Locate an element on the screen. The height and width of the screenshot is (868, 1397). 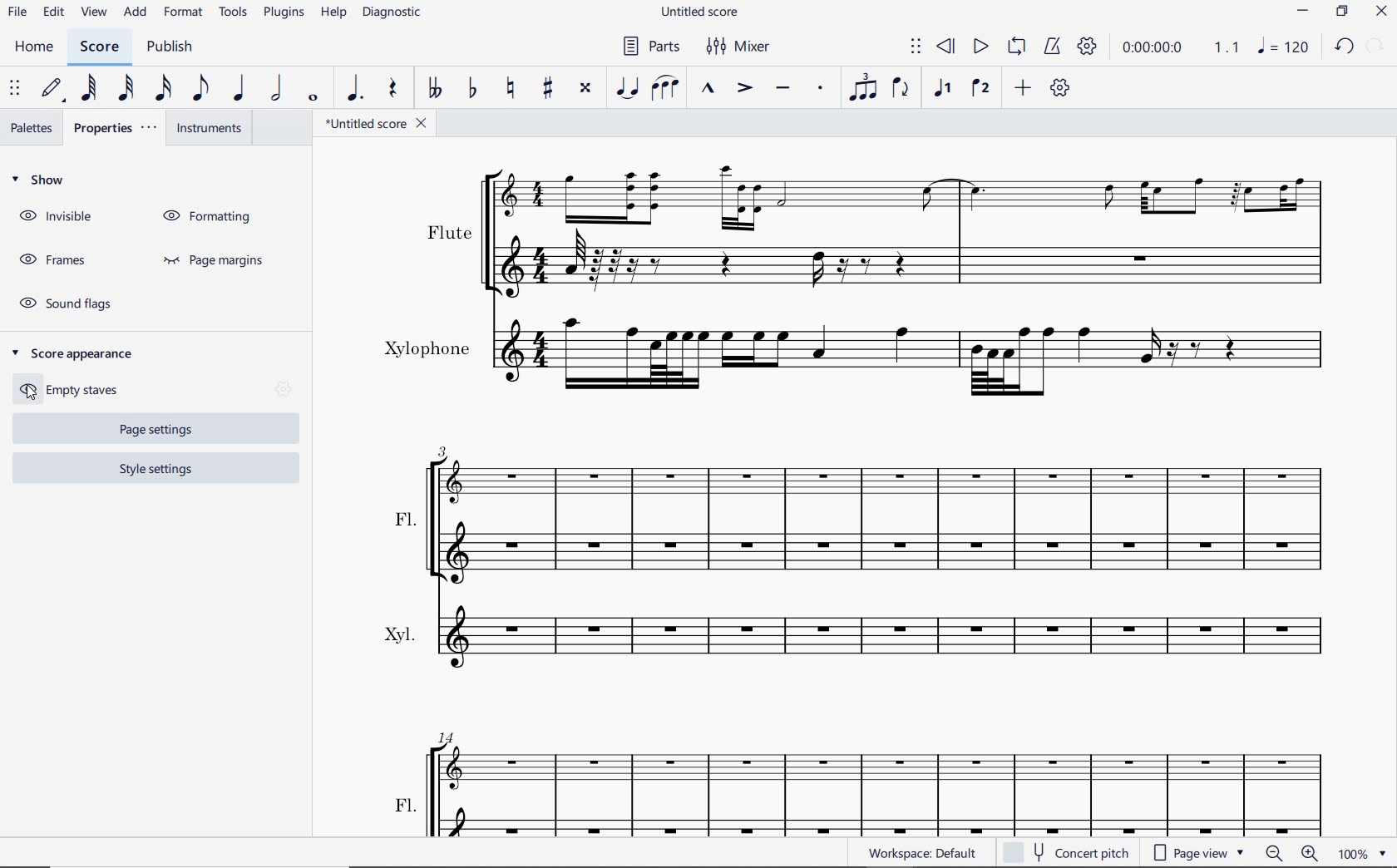
32ND NOTE is located at coordinates (123, 89).